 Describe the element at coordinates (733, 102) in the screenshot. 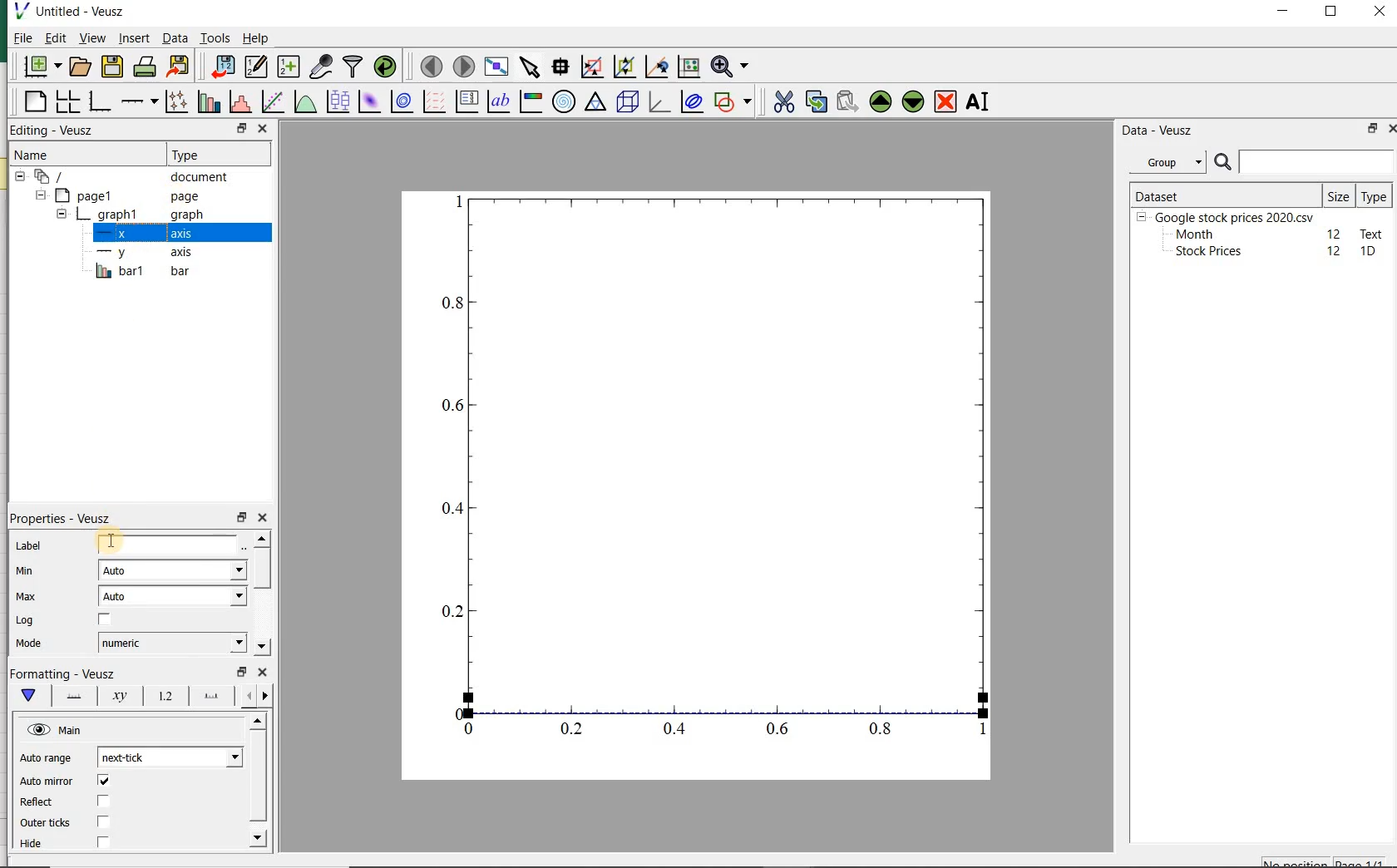

I see `add a shape to the plot` at that location.